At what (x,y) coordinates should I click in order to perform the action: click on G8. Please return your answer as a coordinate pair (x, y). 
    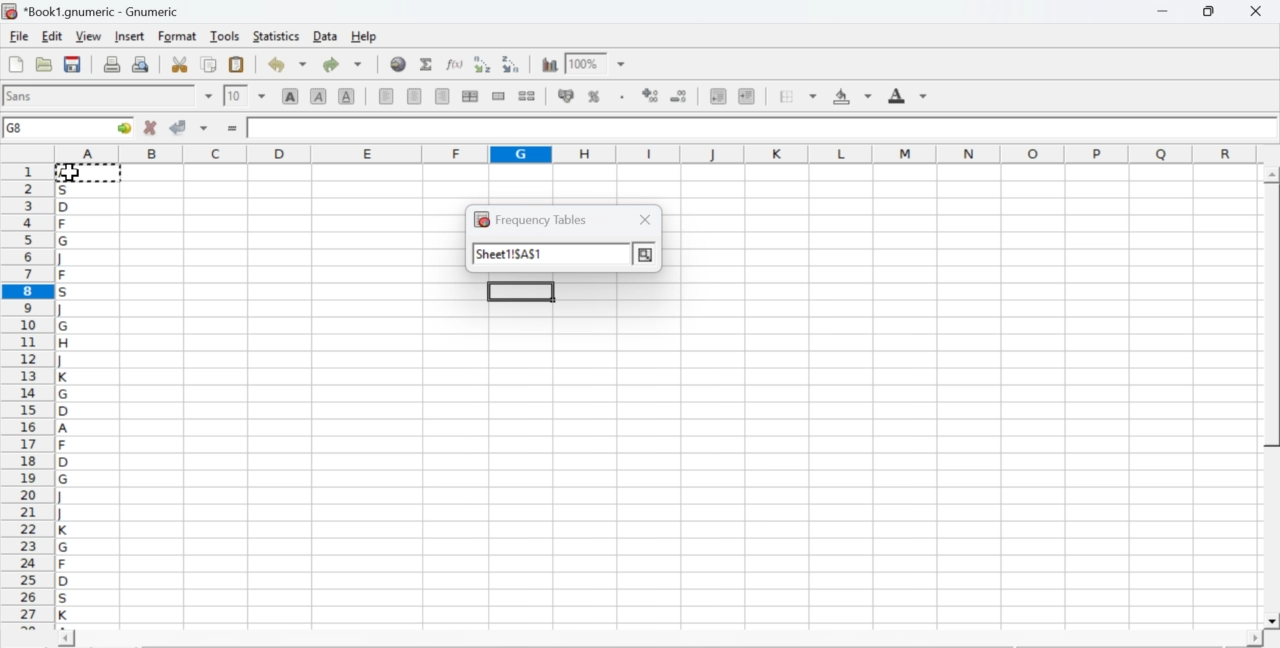
    Looking at the image, I should click on (17, 128).